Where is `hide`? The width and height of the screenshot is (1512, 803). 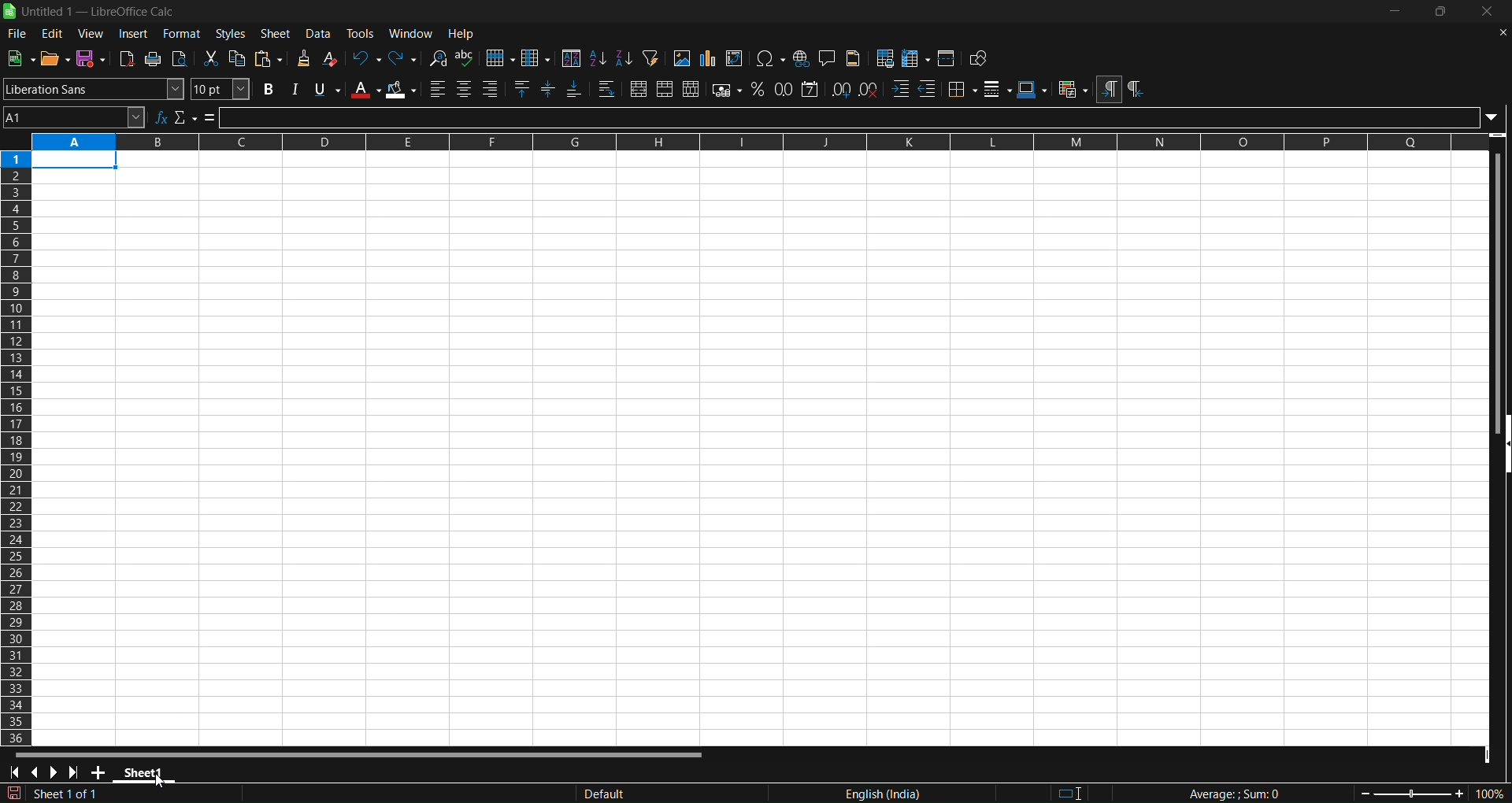
hide is located at coordinates (1503, 446).